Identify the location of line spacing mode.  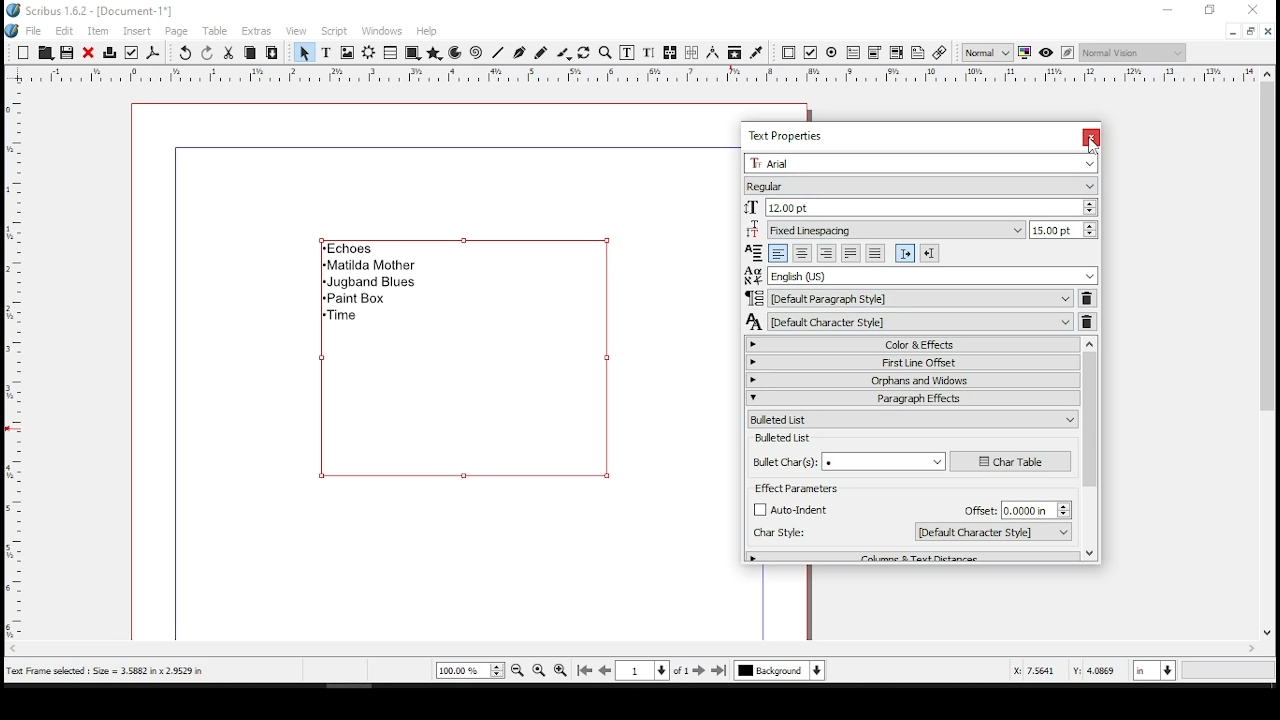
(883, 229).